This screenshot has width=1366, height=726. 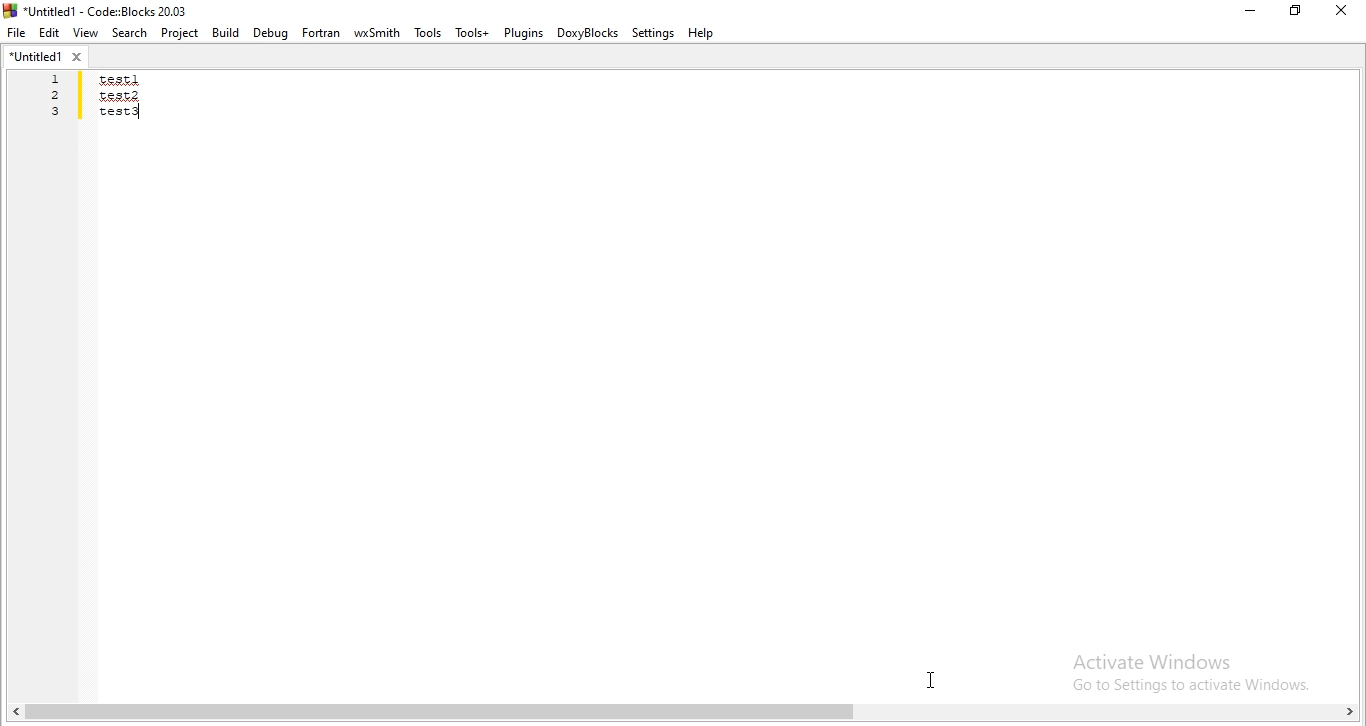 What do you see at coordinates (224, 32) in the screenshot?
I see `Build ` at bounding box center [224, 32].